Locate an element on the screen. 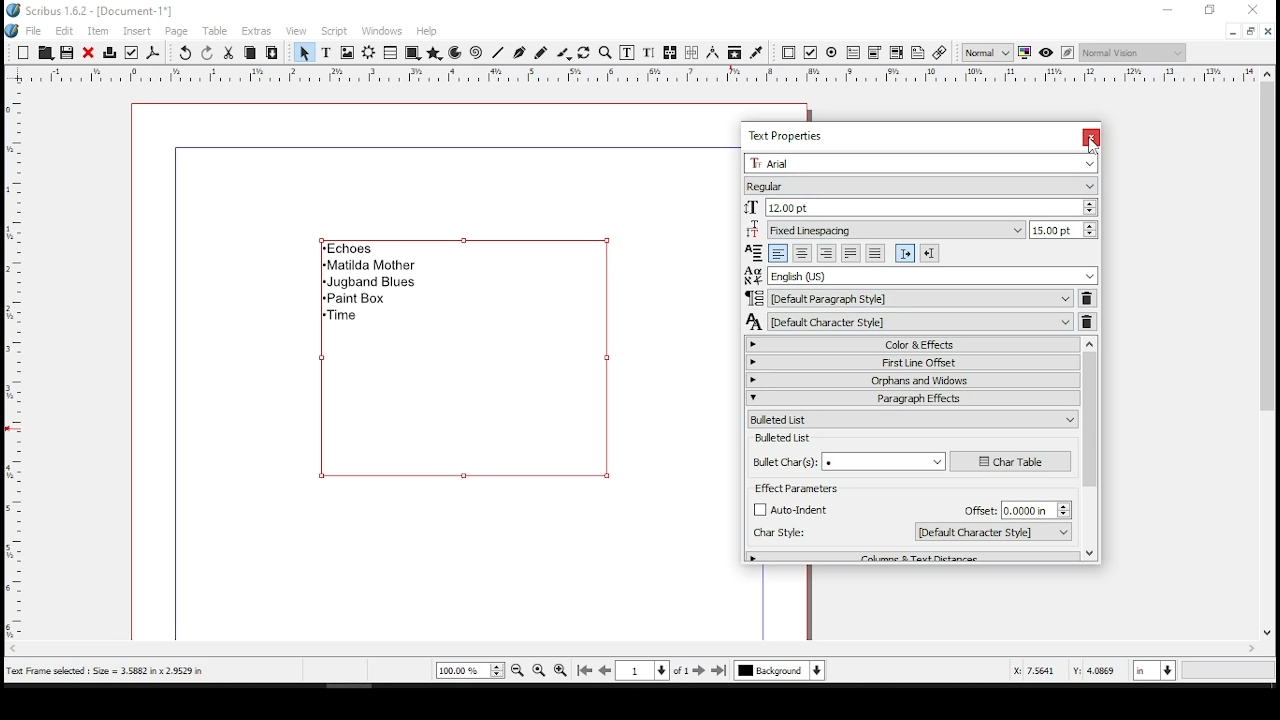 The height and width of the screenshot is (720, 1280). right to left paragraph is located at coordinates (929, 253).